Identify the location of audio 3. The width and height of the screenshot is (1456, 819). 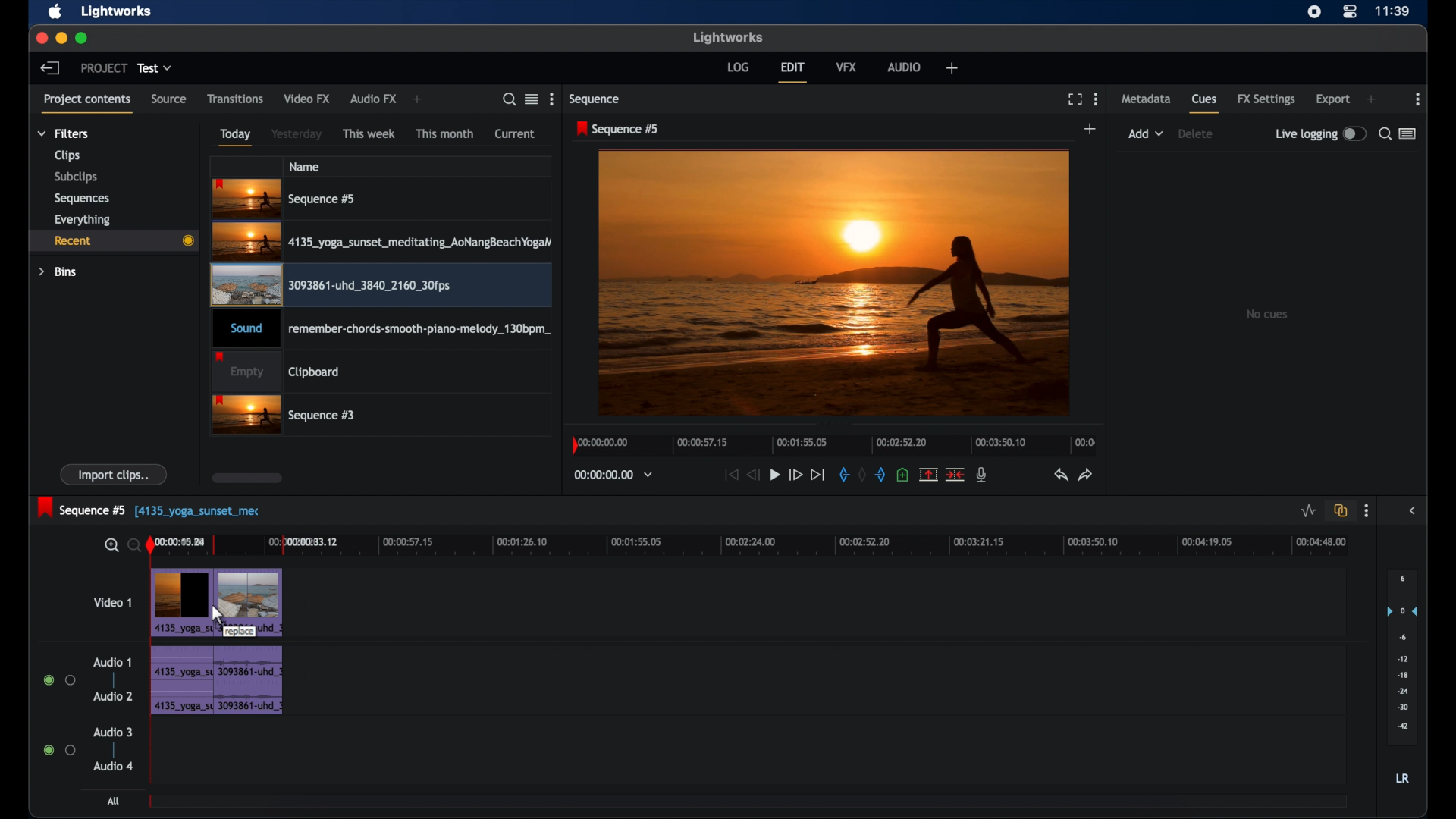
(114, 731).